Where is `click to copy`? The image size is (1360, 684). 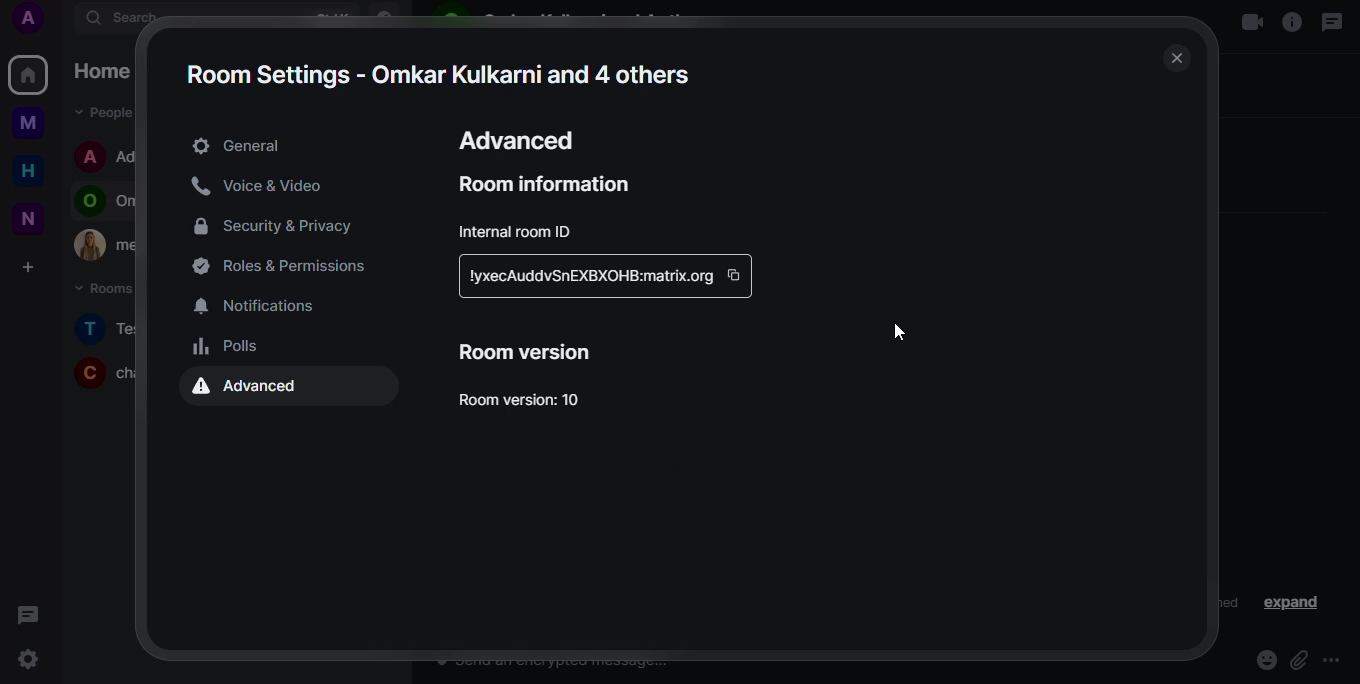
click to copy is located at coordinates (734, 275).